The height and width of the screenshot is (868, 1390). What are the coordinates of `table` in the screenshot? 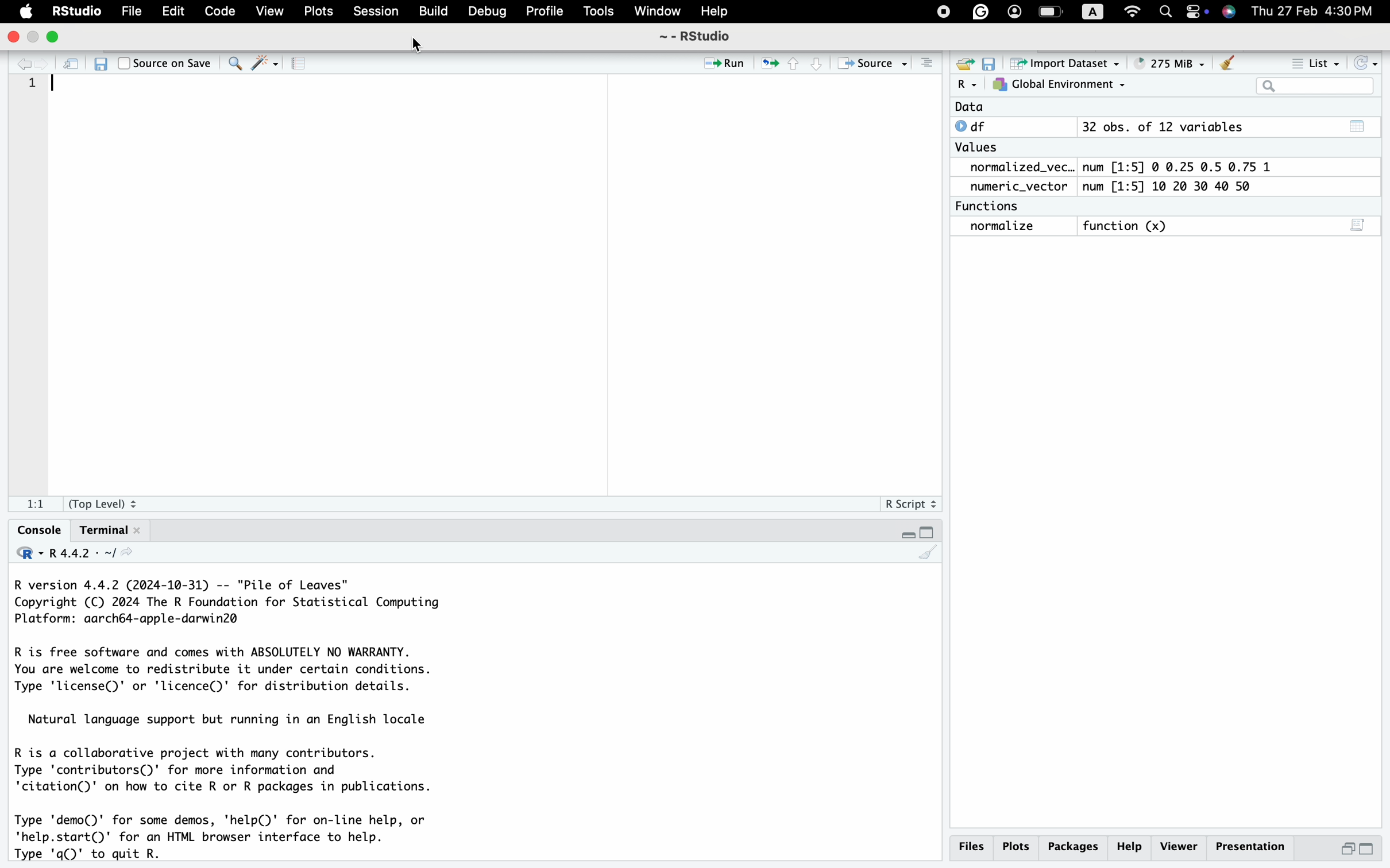 It's located at (1360, 125).